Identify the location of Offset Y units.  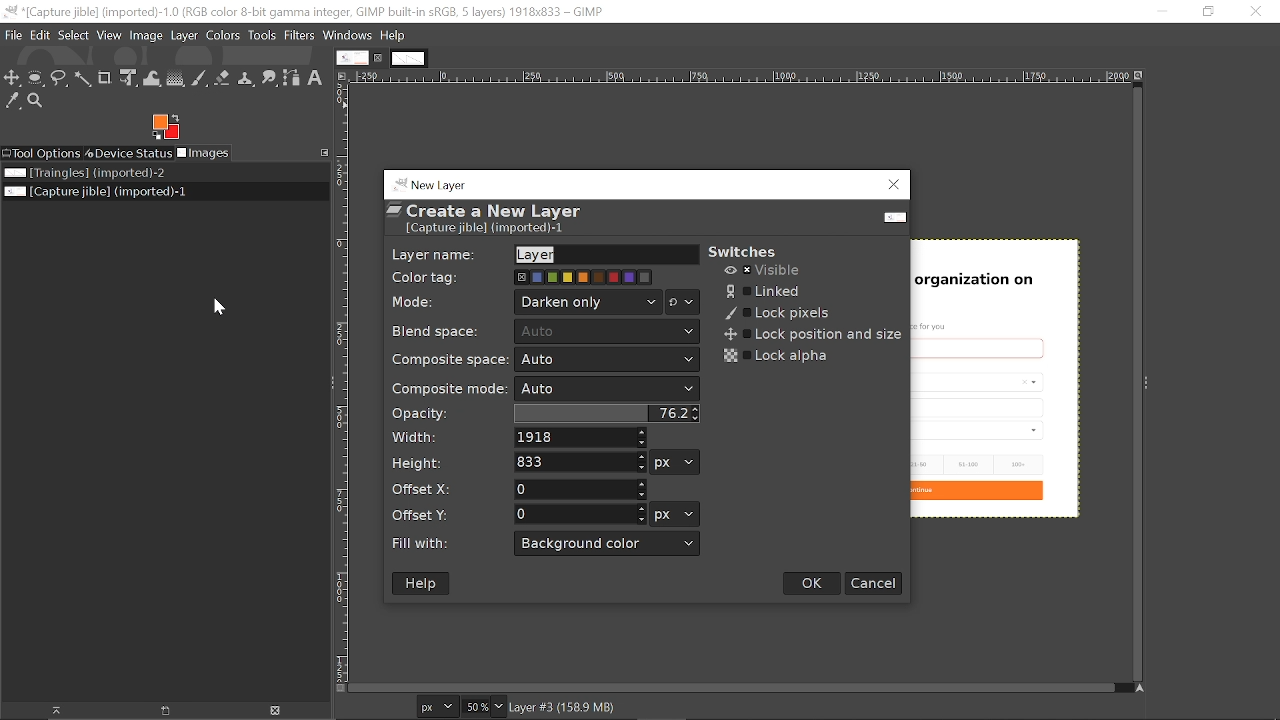
(675, 515).